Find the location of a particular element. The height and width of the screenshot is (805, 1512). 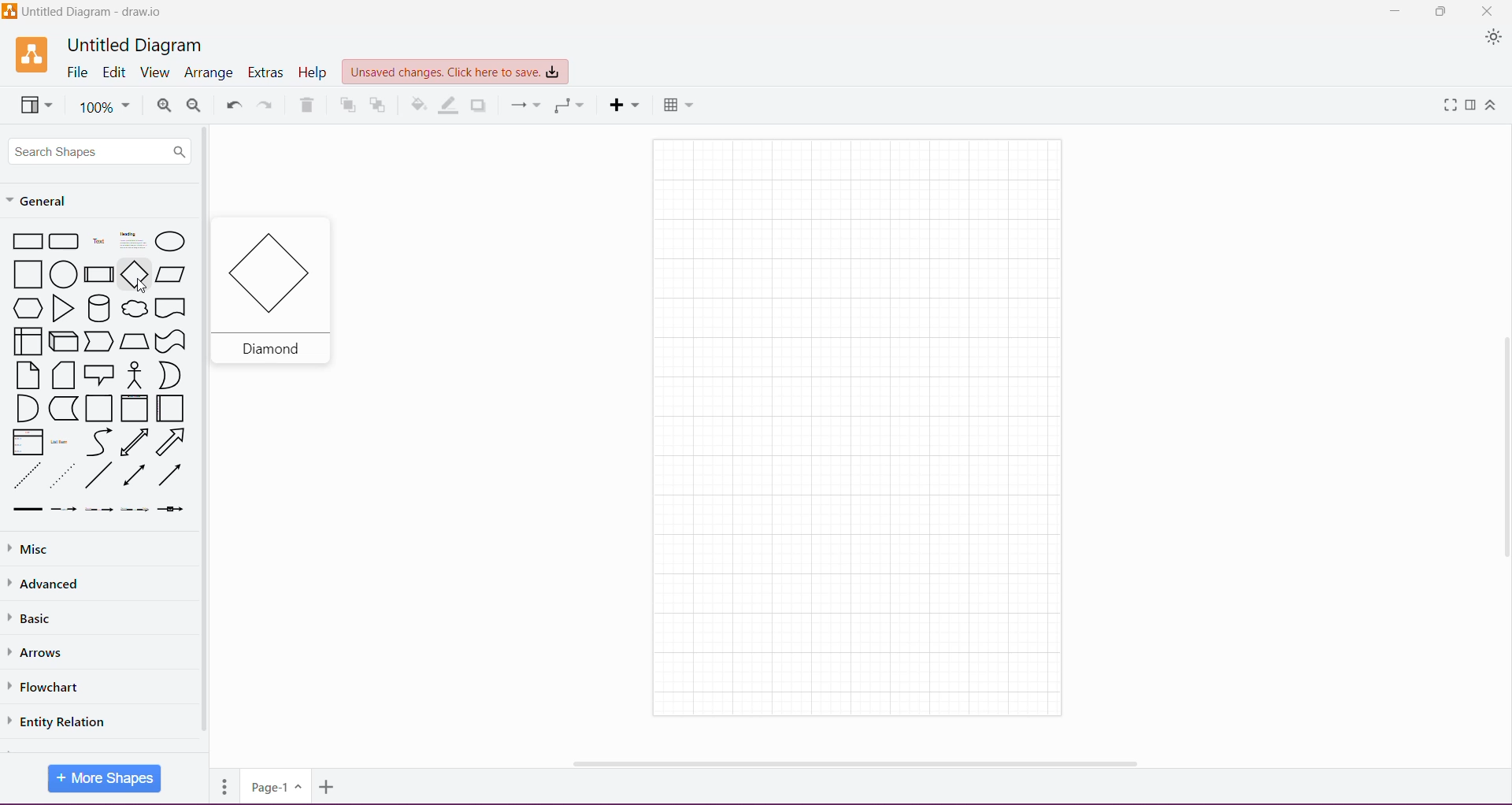

Close is located at coordinates (1488, 10).